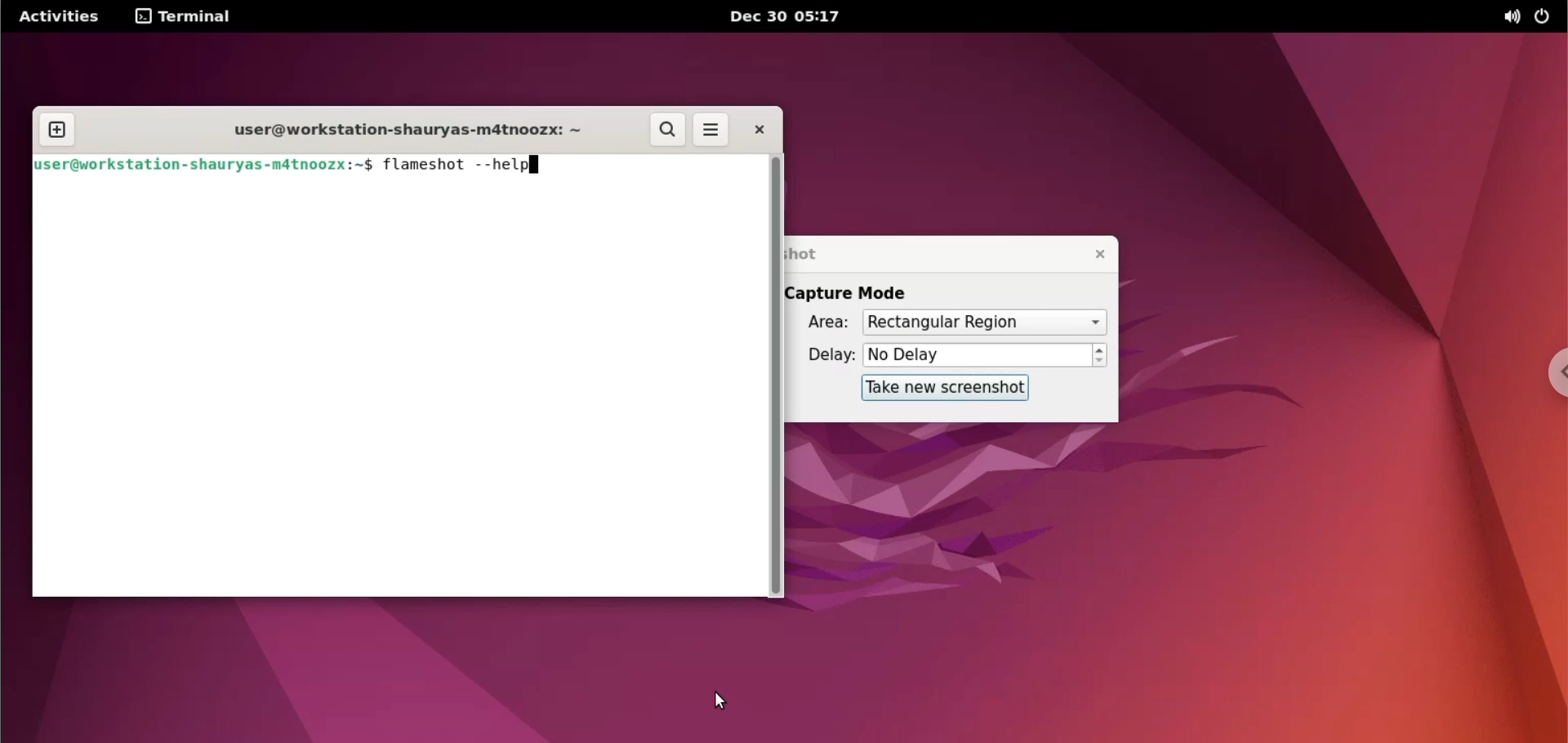 The width and height of the screenshot is (1568, 743). What do you see at coordinates (1508, 19) in the screenshot?
I see `sound options` at bounding box center [1508, 19].